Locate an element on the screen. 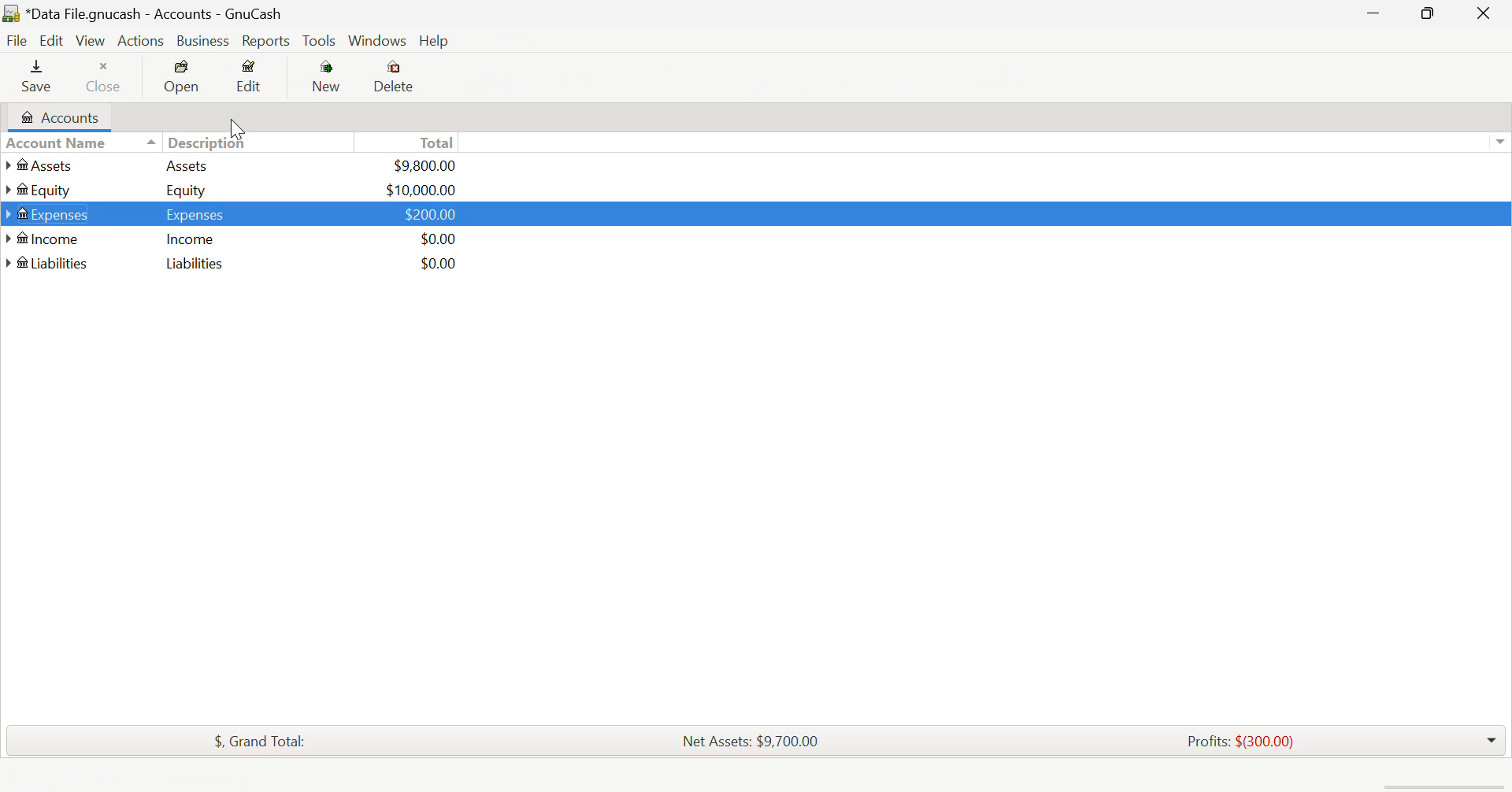 The image size is (1512, 792). File is located at coordinates (17, 42).